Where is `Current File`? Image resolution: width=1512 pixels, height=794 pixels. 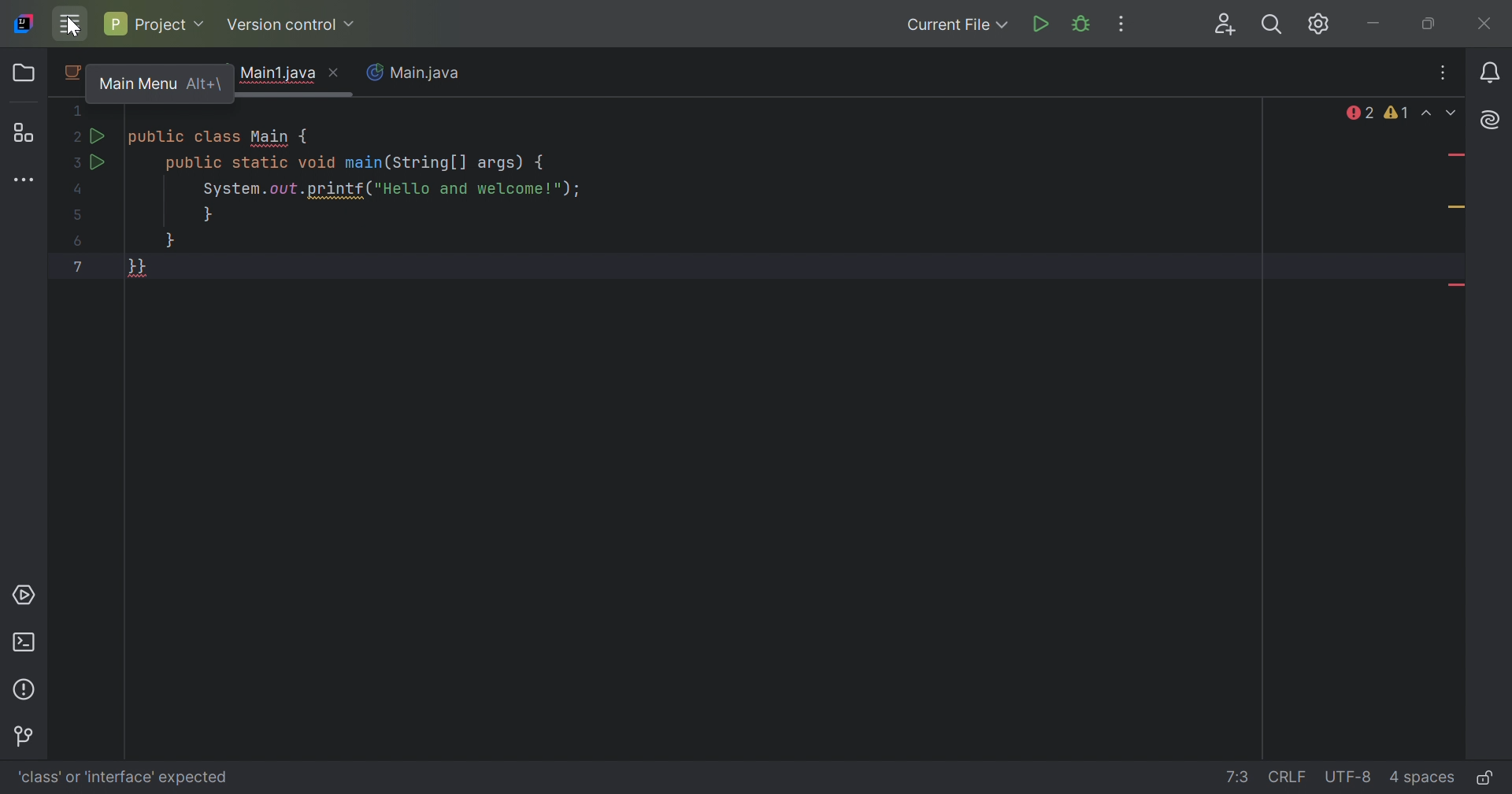
Current File is located at coordinates (958, 25).